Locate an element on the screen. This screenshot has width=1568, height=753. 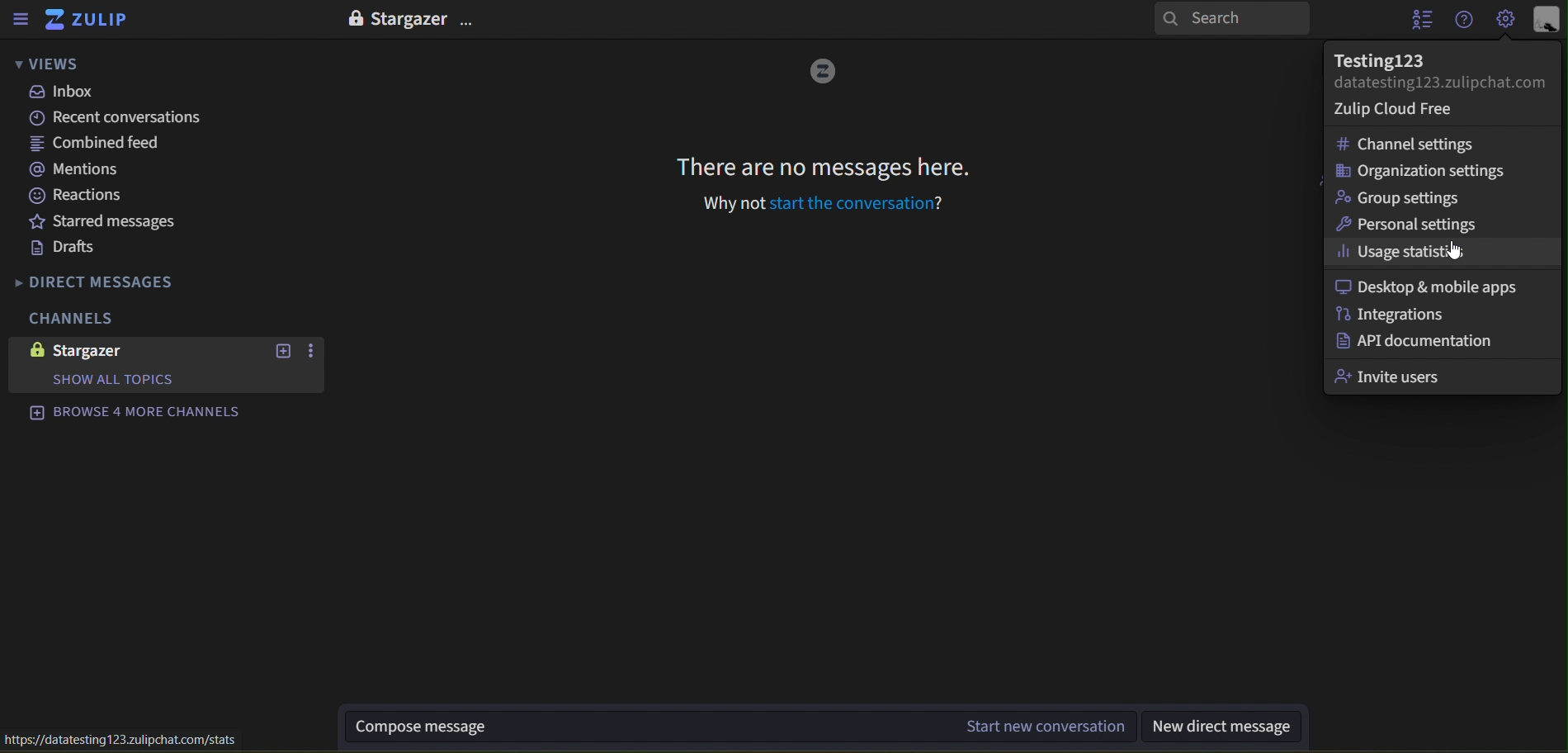
There are no messages here. is located at coordinates (822, 167).